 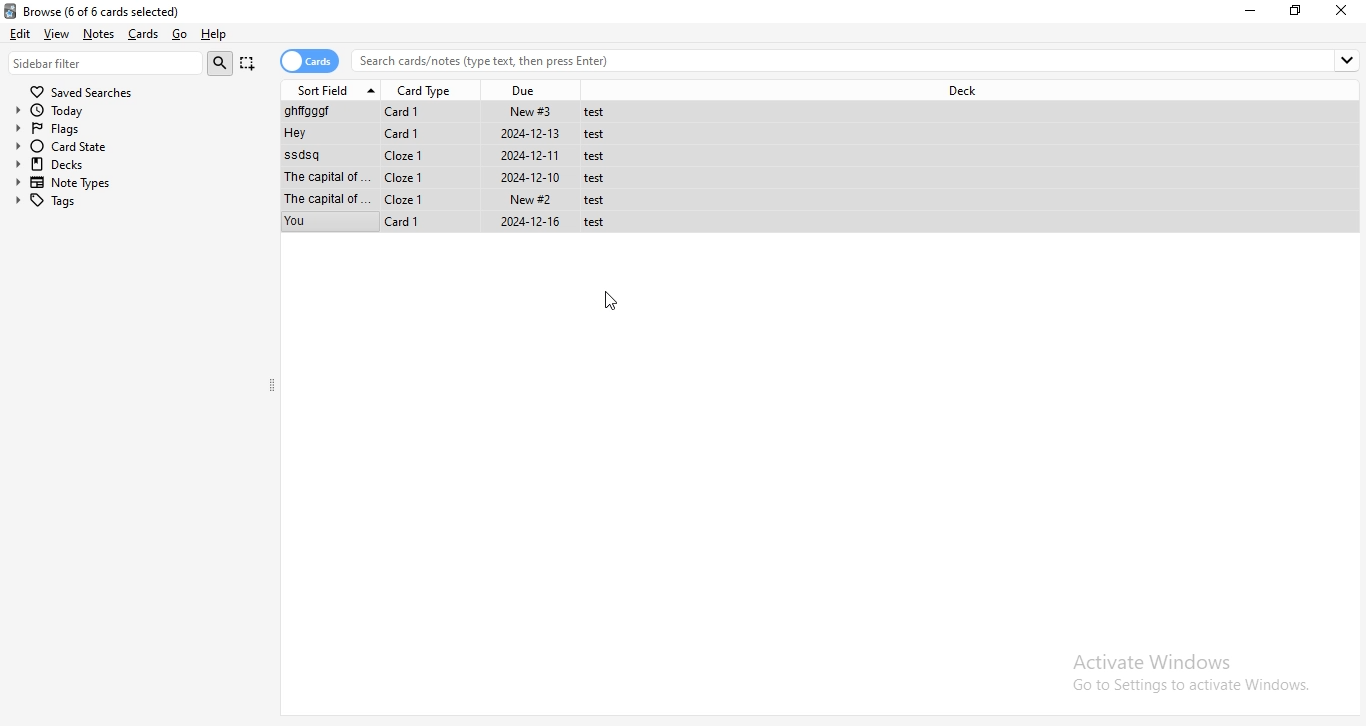 I want to click on File, so click(x=456, y=223).